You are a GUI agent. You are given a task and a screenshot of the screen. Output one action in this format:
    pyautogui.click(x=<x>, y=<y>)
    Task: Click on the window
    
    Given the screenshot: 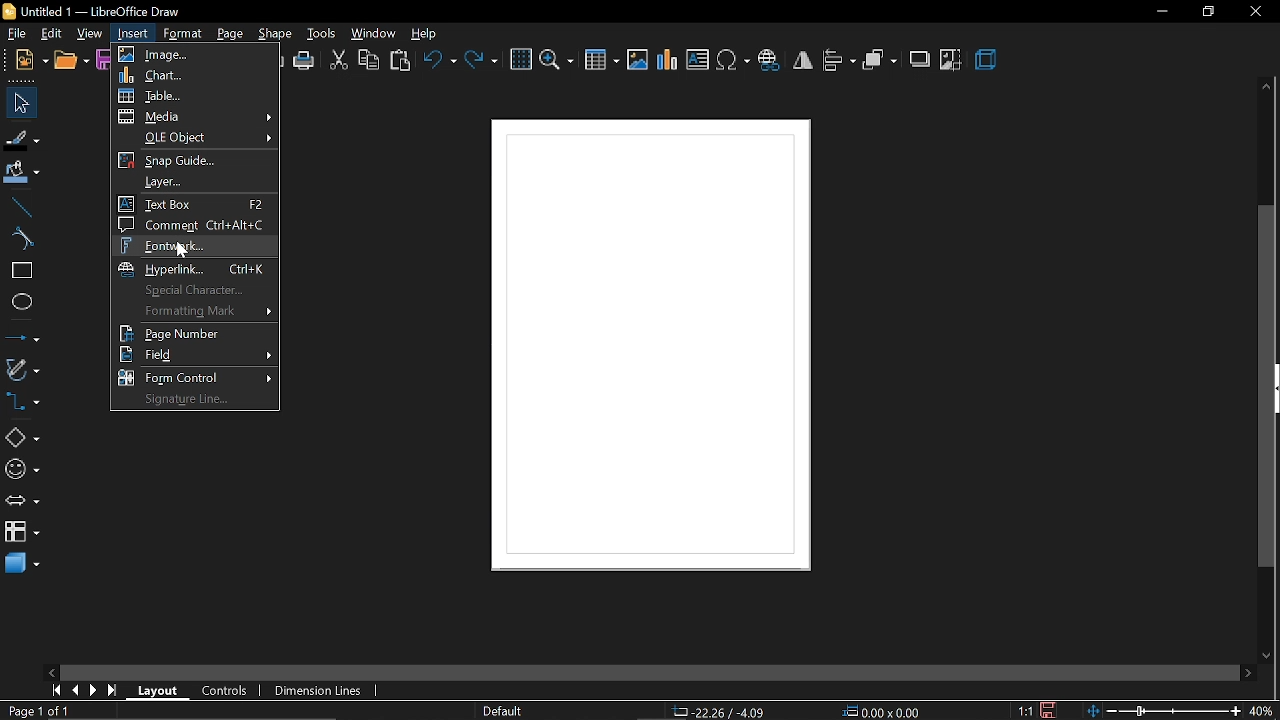 What is the action you would take?
    pyautogui.click(x=375, y=33)
    